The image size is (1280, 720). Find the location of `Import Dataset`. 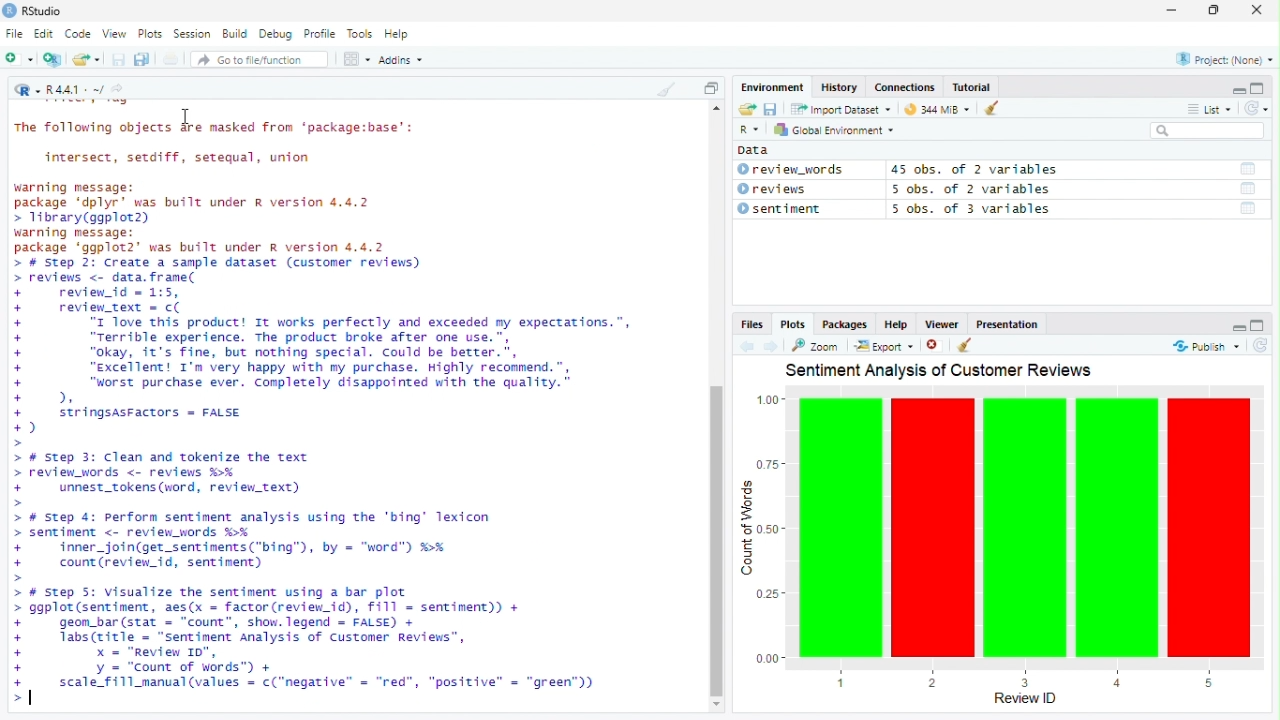

Import Dataset is located at coordinates (844, 110).